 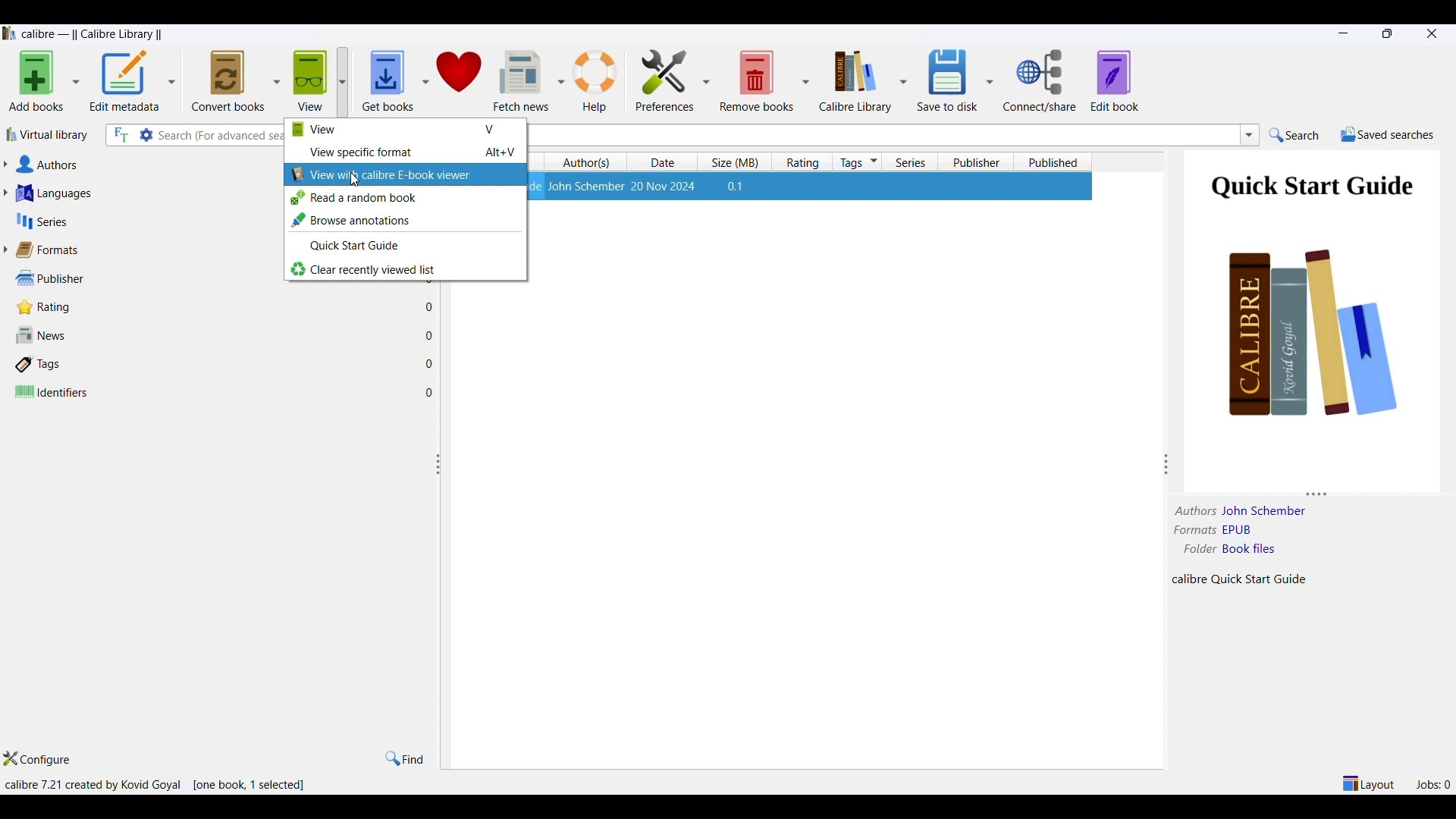 What do you see at coordinates (808, 186) in the screenshot?
I see `book detail` at bounding box center [808, 186].